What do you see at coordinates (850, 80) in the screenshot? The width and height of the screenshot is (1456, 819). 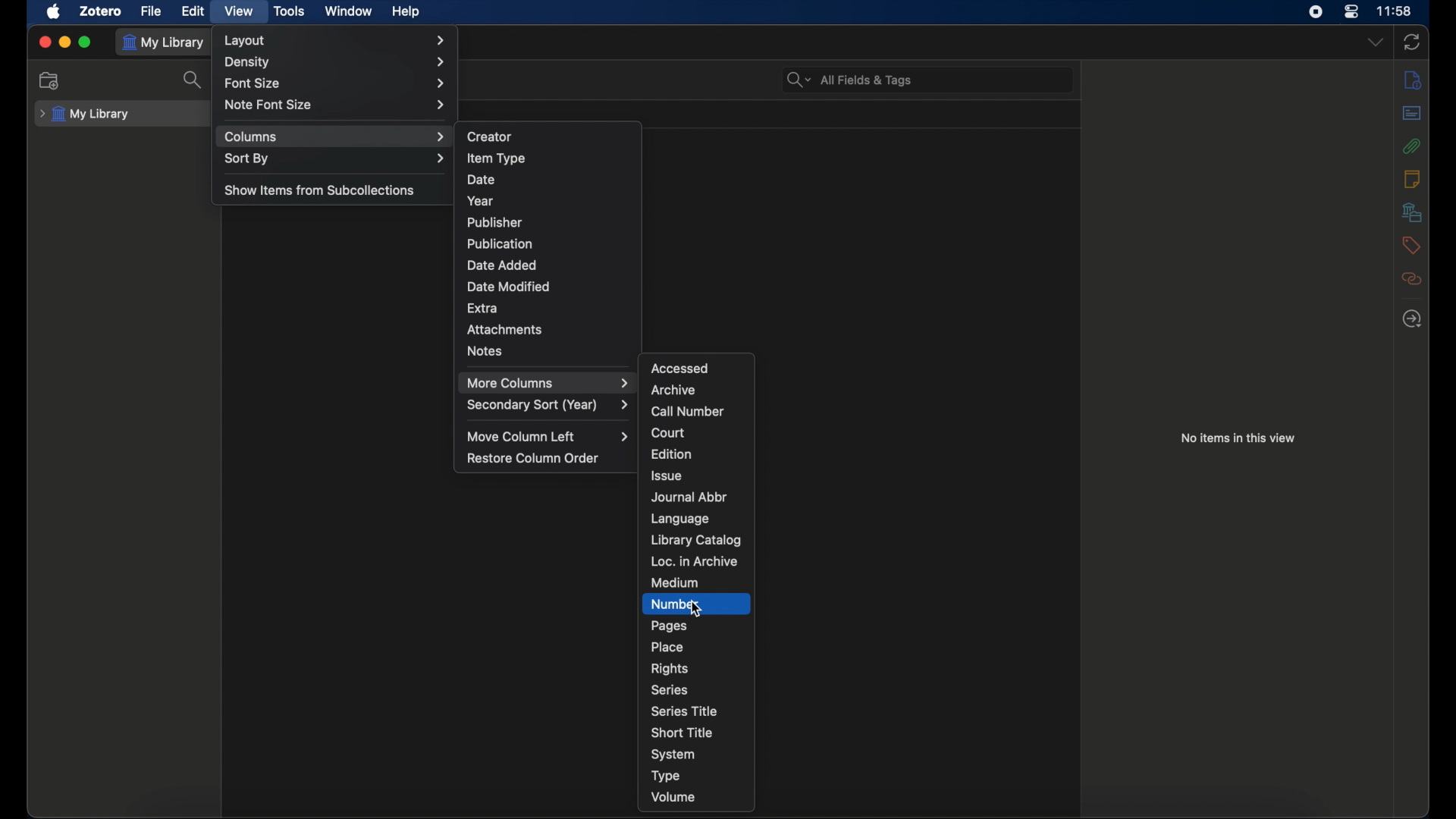 I see `all fields & tags` at bounding box center [850, 80].